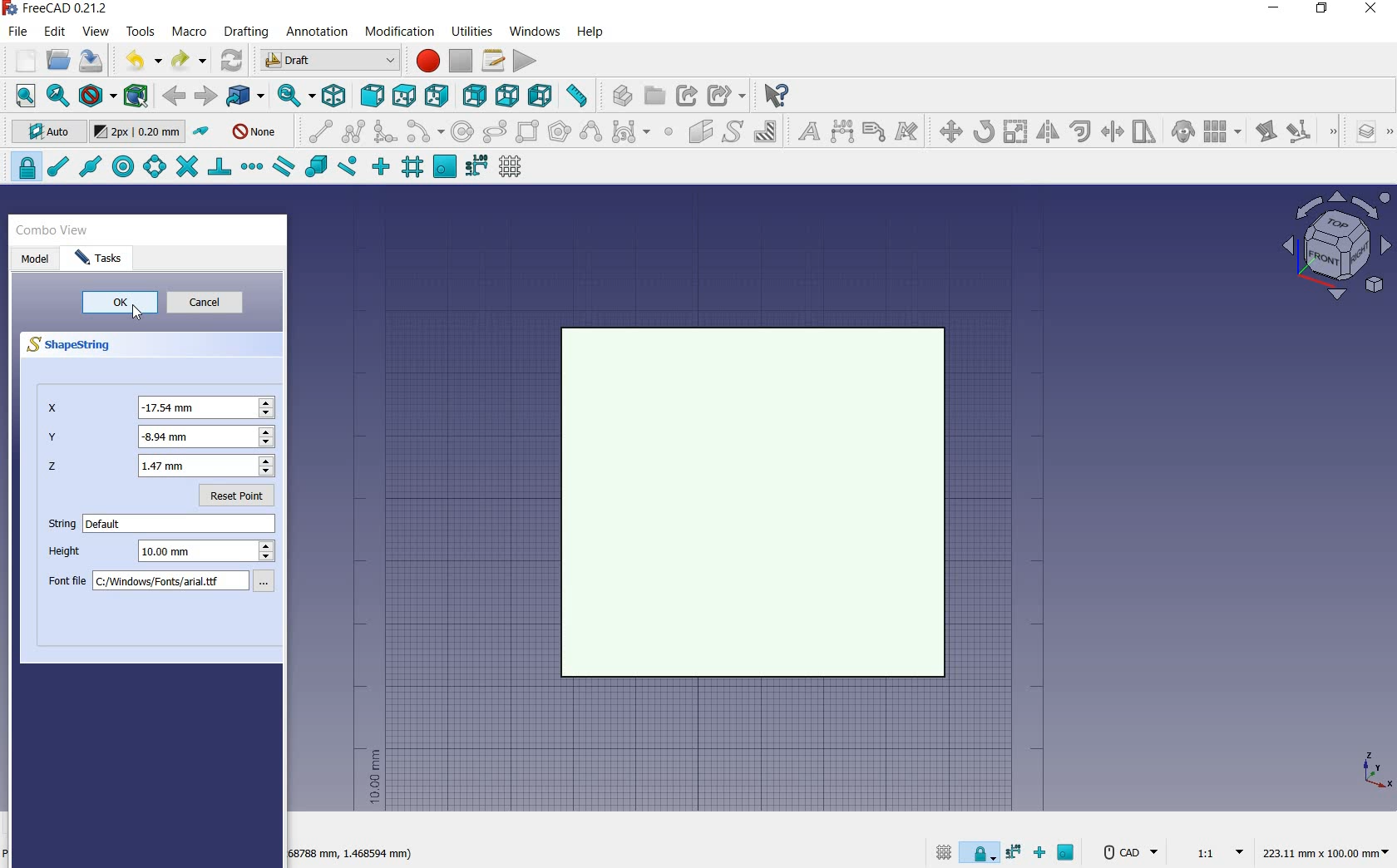 This screenshot has height=868, width=1397. What do you see at coordinates (121, 167) in the screenshot?
I see `snap center` at bounding box center [121, 167].